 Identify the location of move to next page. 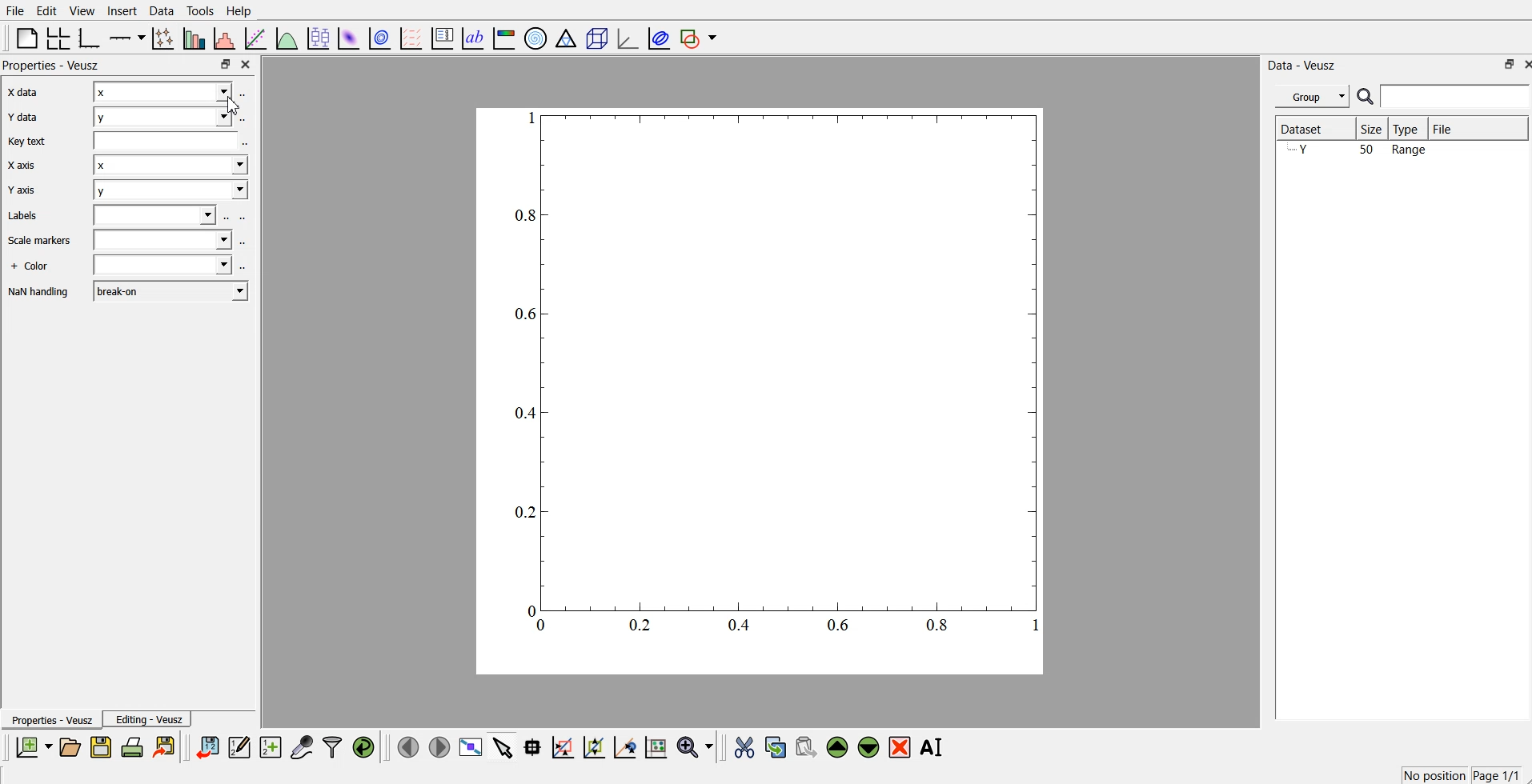
(439, 746).